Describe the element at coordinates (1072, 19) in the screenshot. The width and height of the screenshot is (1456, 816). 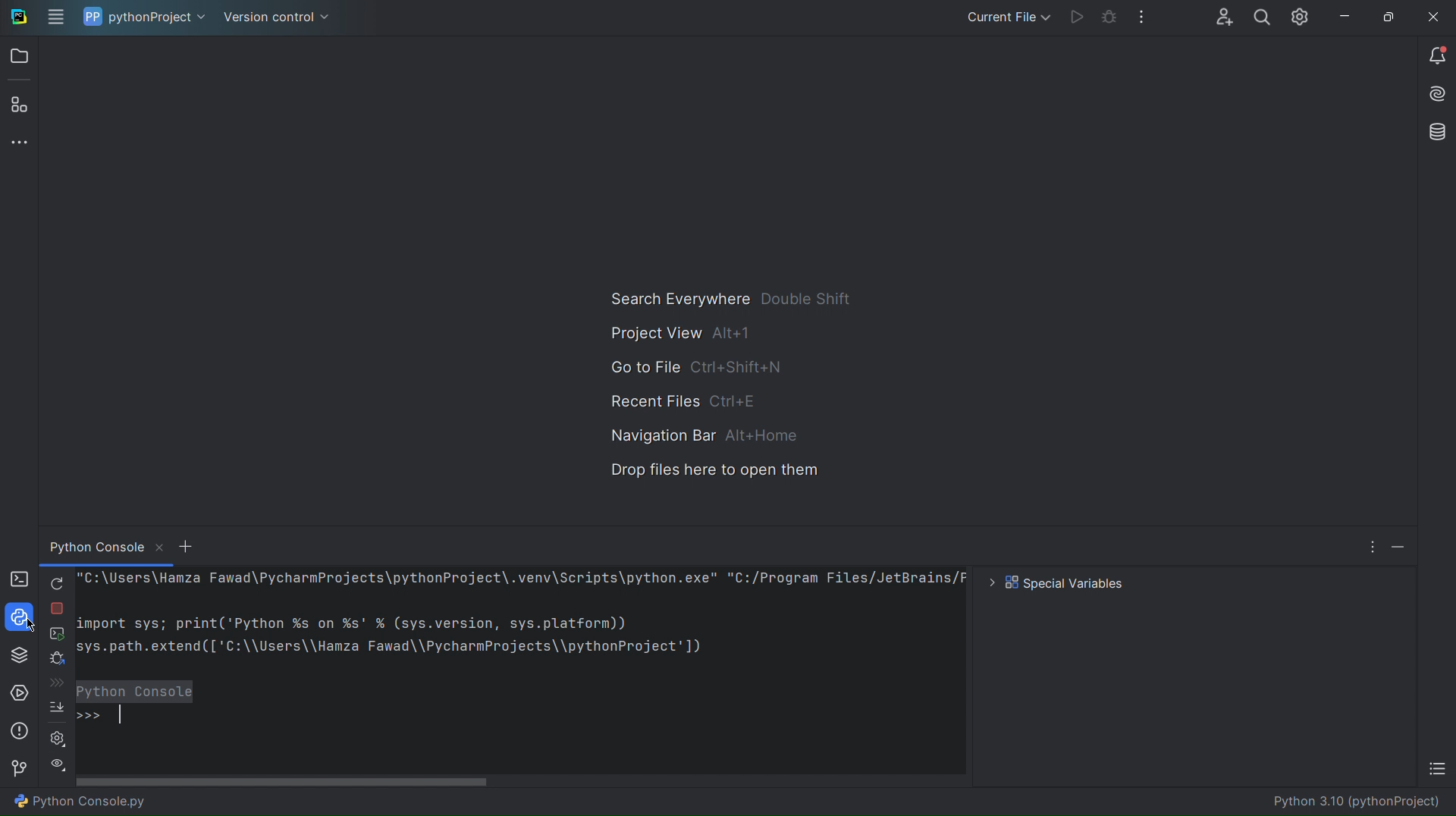
I see `Run` at that location.